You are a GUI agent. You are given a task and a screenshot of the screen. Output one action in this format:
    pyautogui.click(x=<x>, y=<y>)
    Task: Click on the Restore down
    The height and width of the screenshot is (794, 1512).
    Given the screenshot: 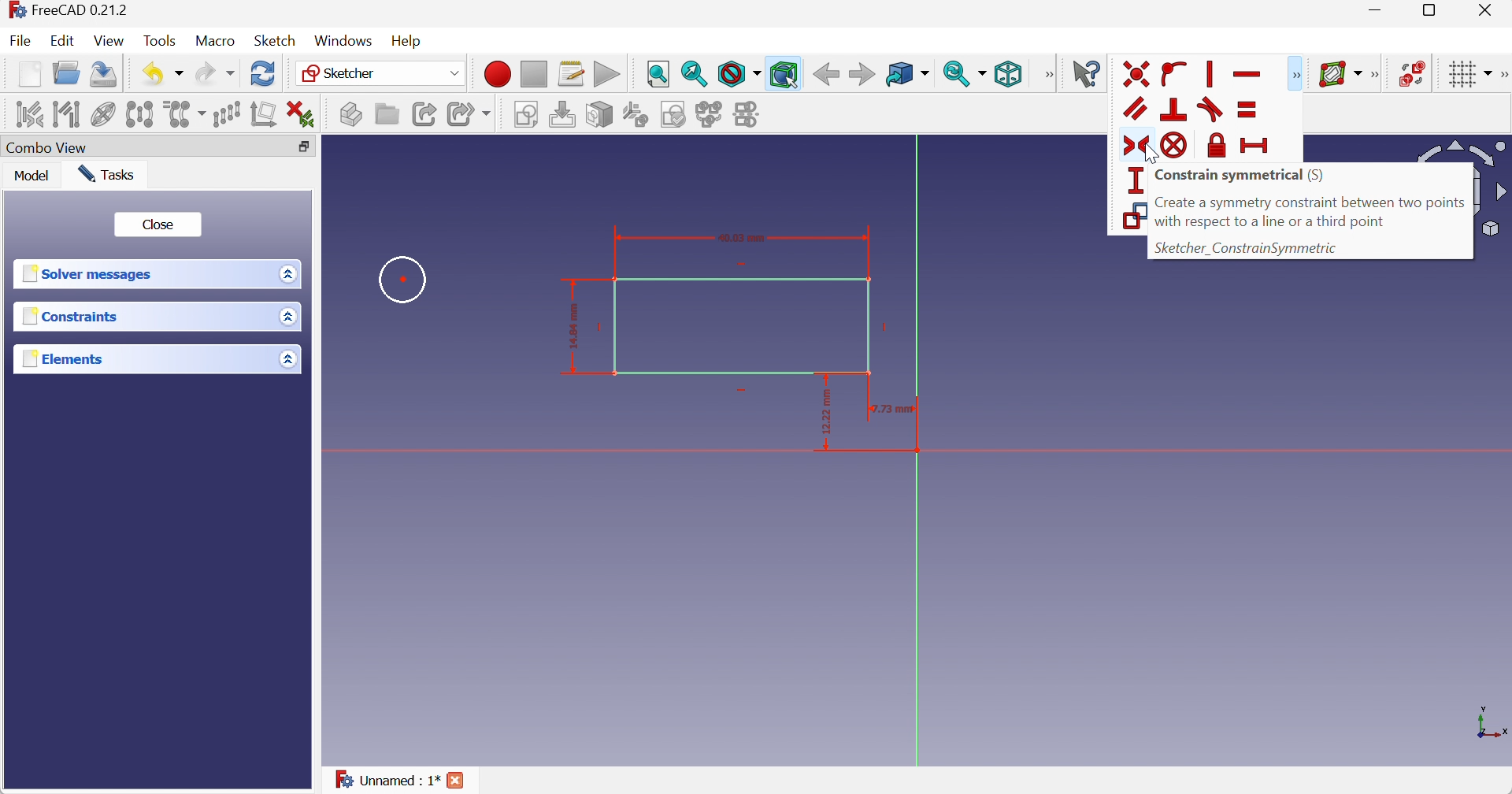 What is the action you would take?
    pyautogui.click(x=305, y=148)
    